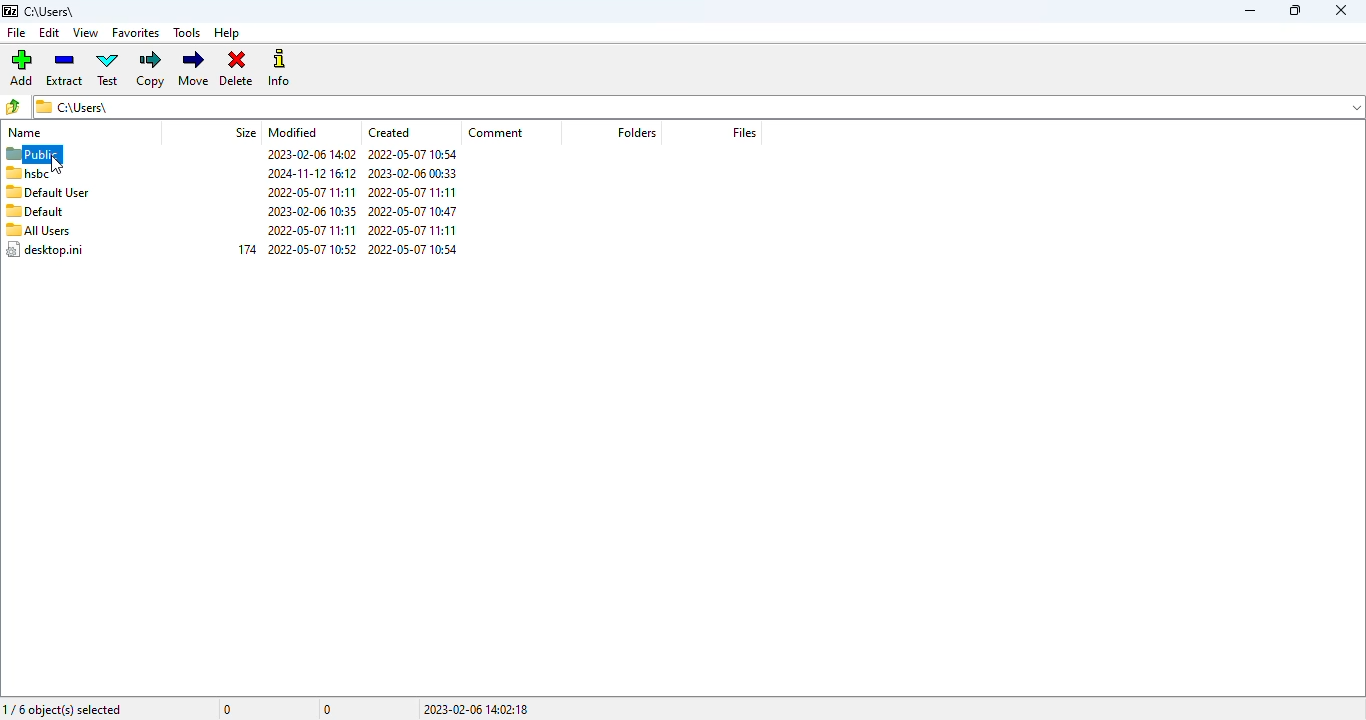 This screenshot has width=1366, height=720. Describe the element at coordinates (44, 249) in the screenshot. I see `desktop.ini` at that location.